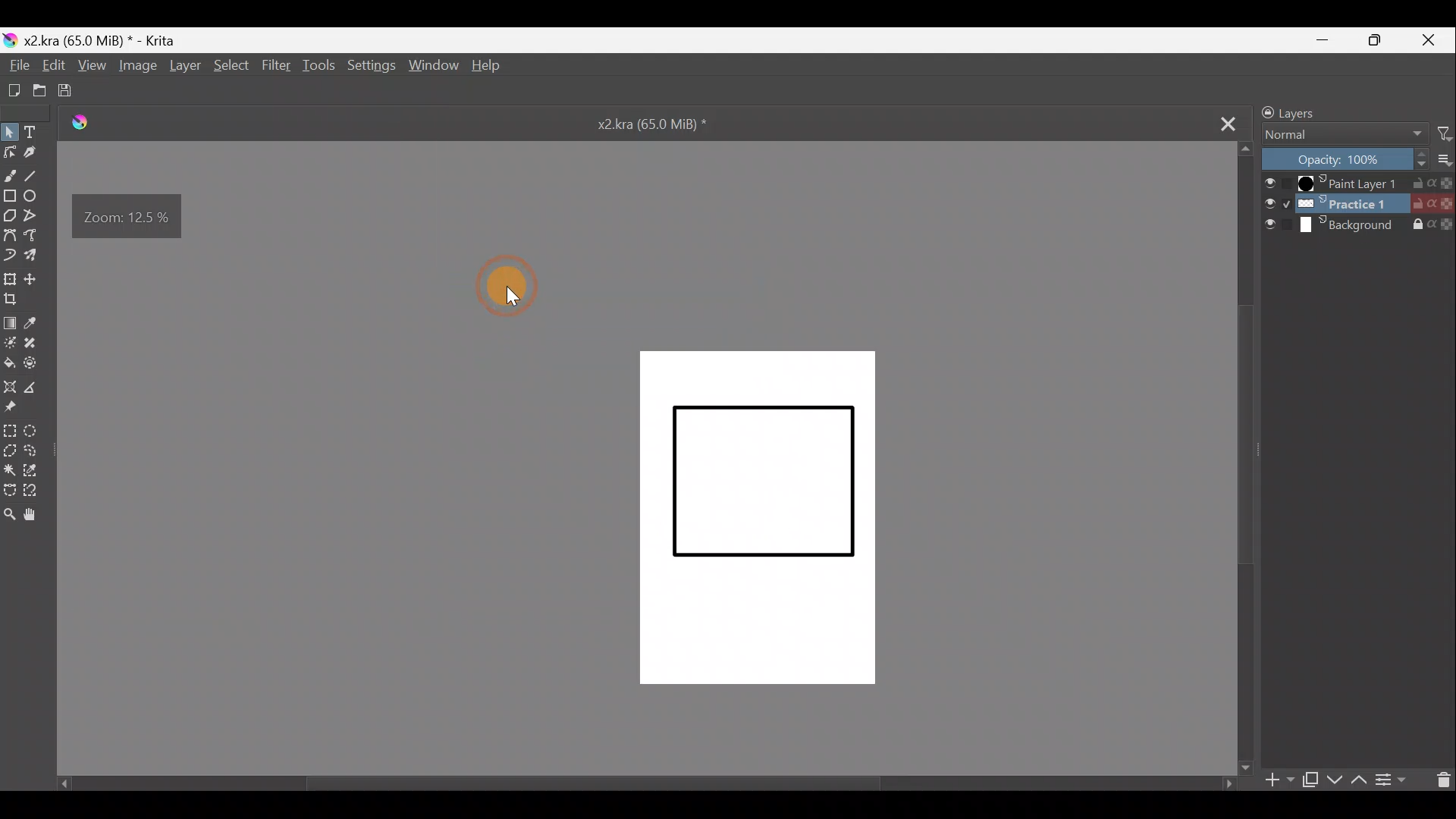 The height and width of the screenshot is (819, 1456). Describe the element at coordinates (33, 322) in the screenshot. I see `Sample a colour from the image/current layer` at that location.